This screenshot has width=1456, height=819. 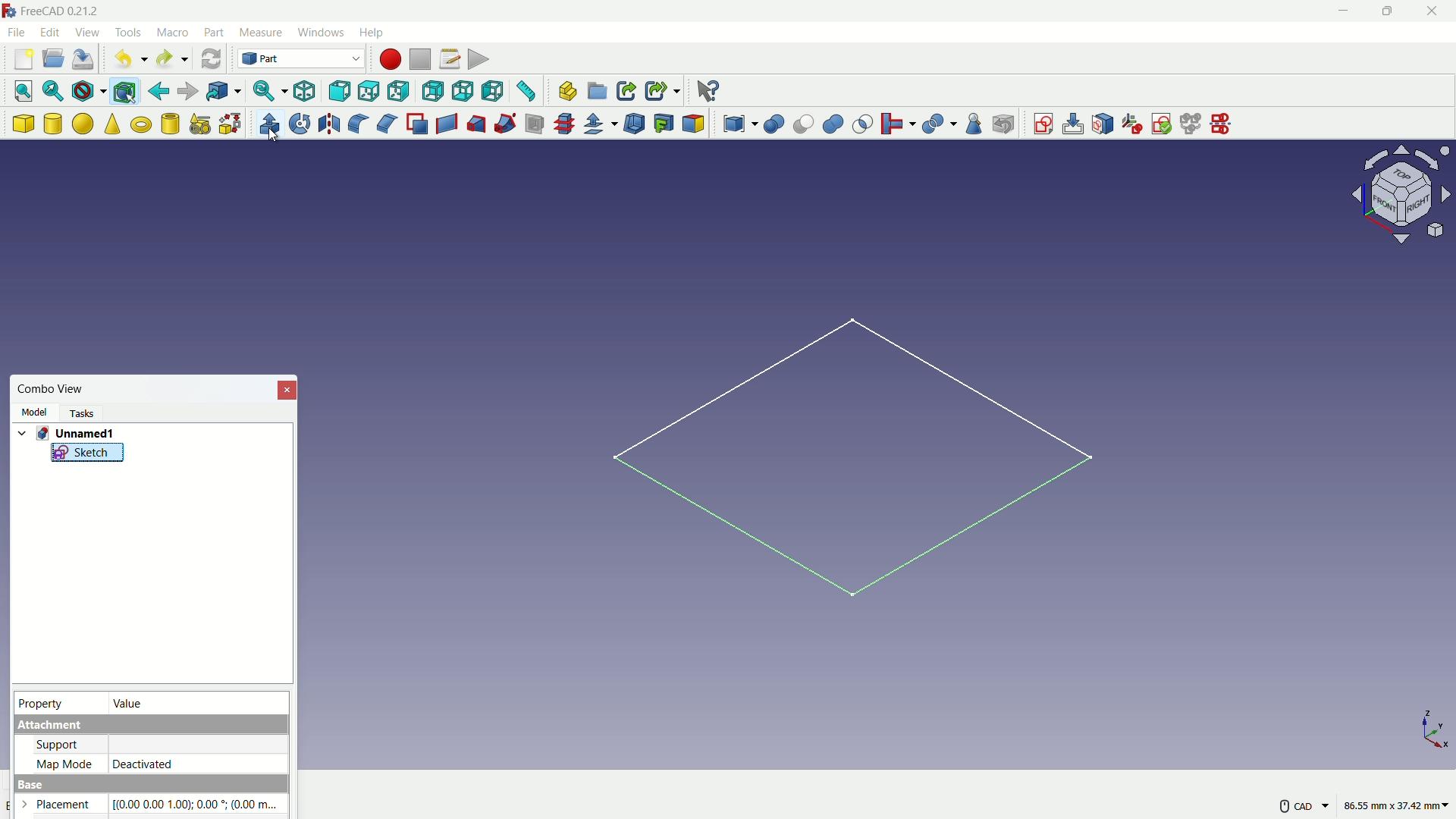 What do you see at coordinates (142, 125) in the screenshot?
I see `torus solid` at bounding box center [142, 125].